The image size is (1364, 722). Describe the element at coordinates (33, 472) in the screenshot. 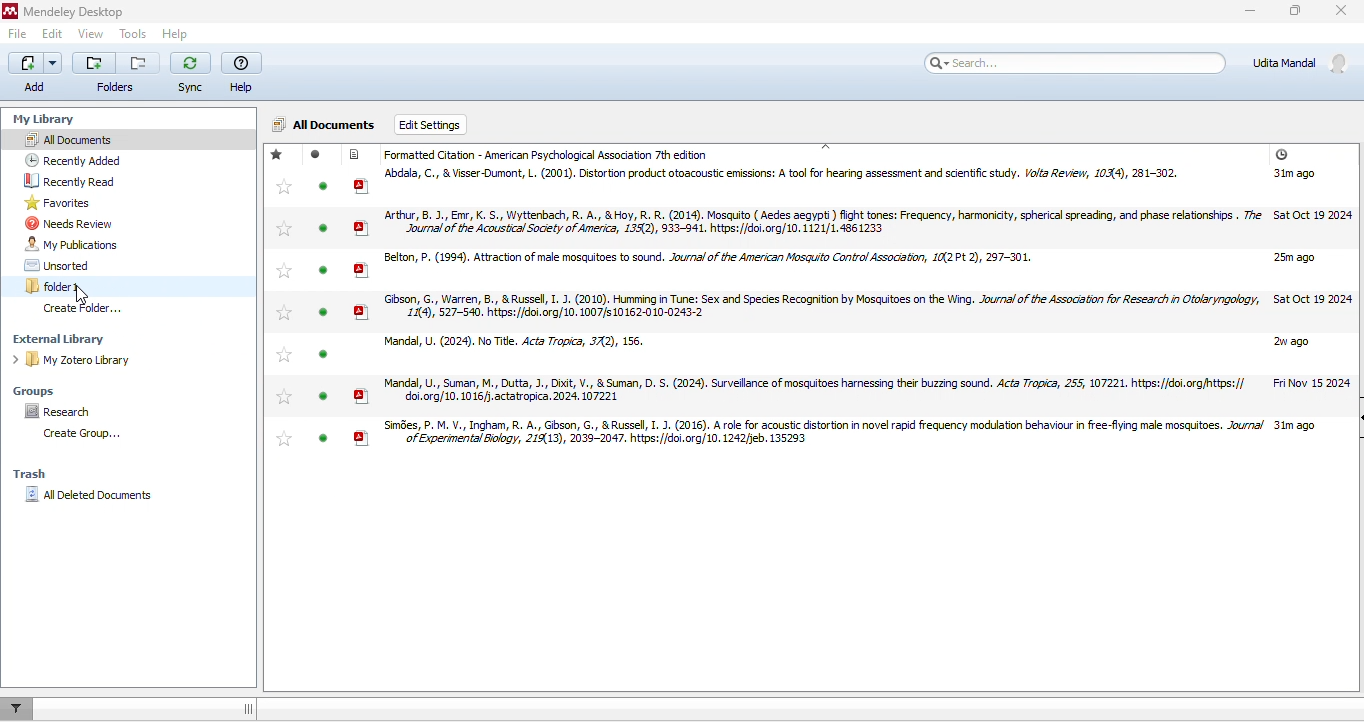

I see `trash` at that location.